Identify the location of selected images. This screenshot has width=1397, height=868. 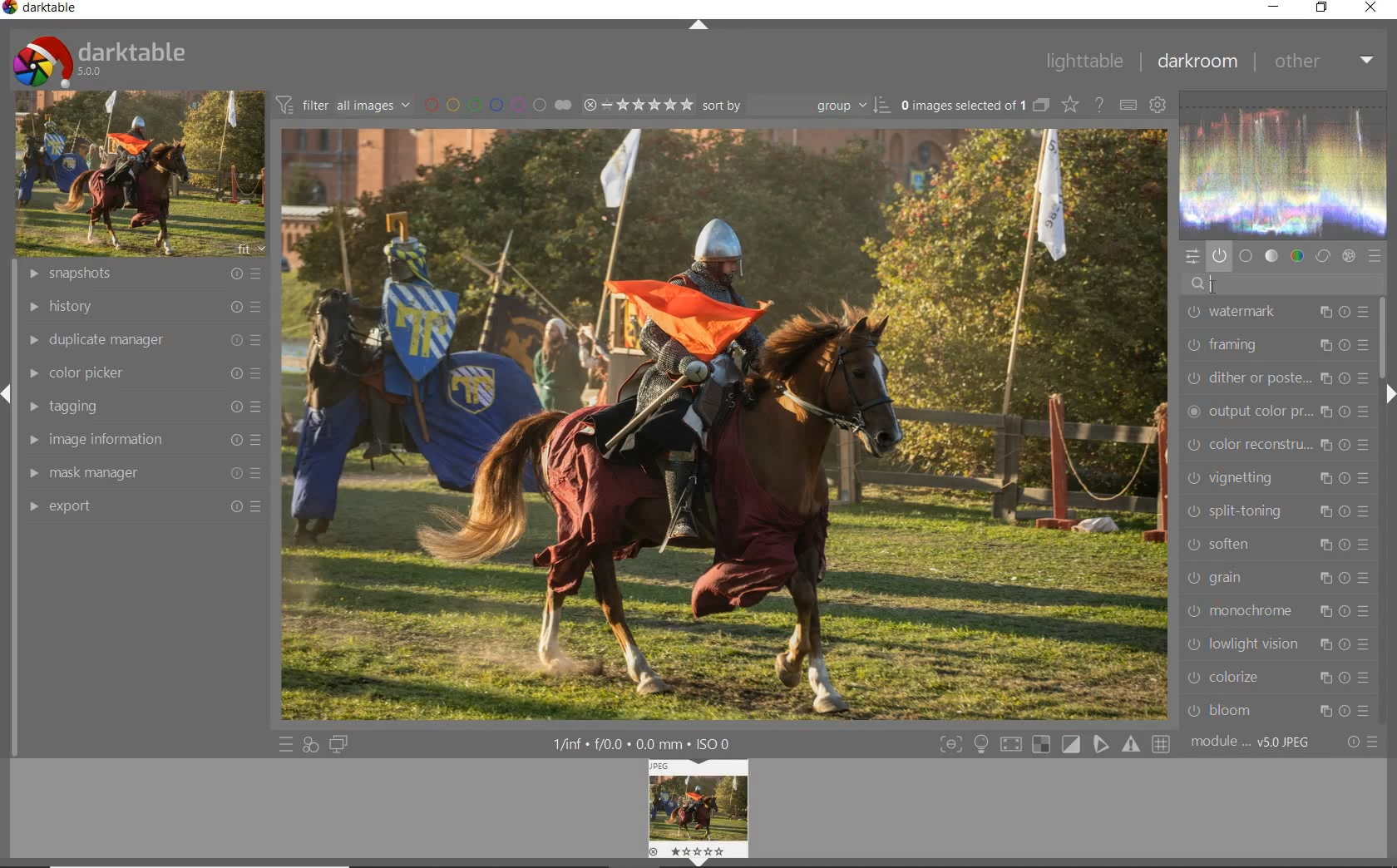
(973, 104).